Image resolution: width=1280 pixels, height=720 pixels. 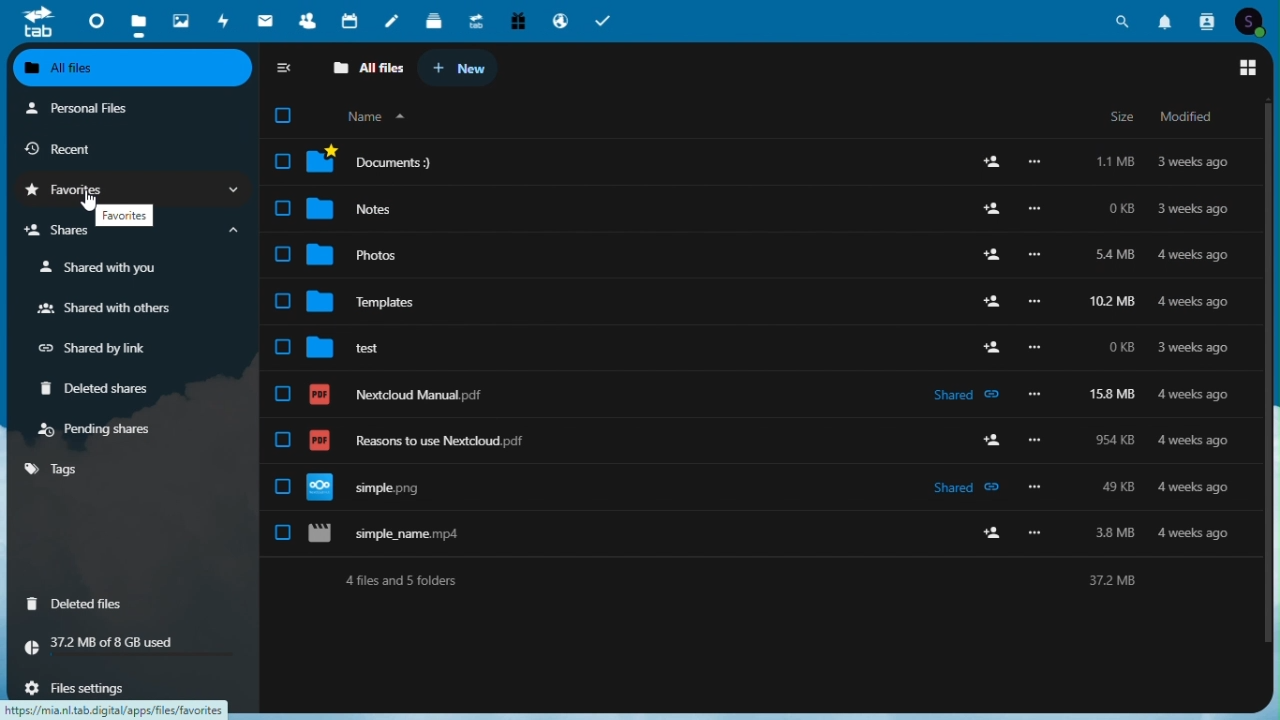 What do you see at coordinates (1209, 21) in the screenshot?
I see `Contacts` at bounding box center [1209, 21].